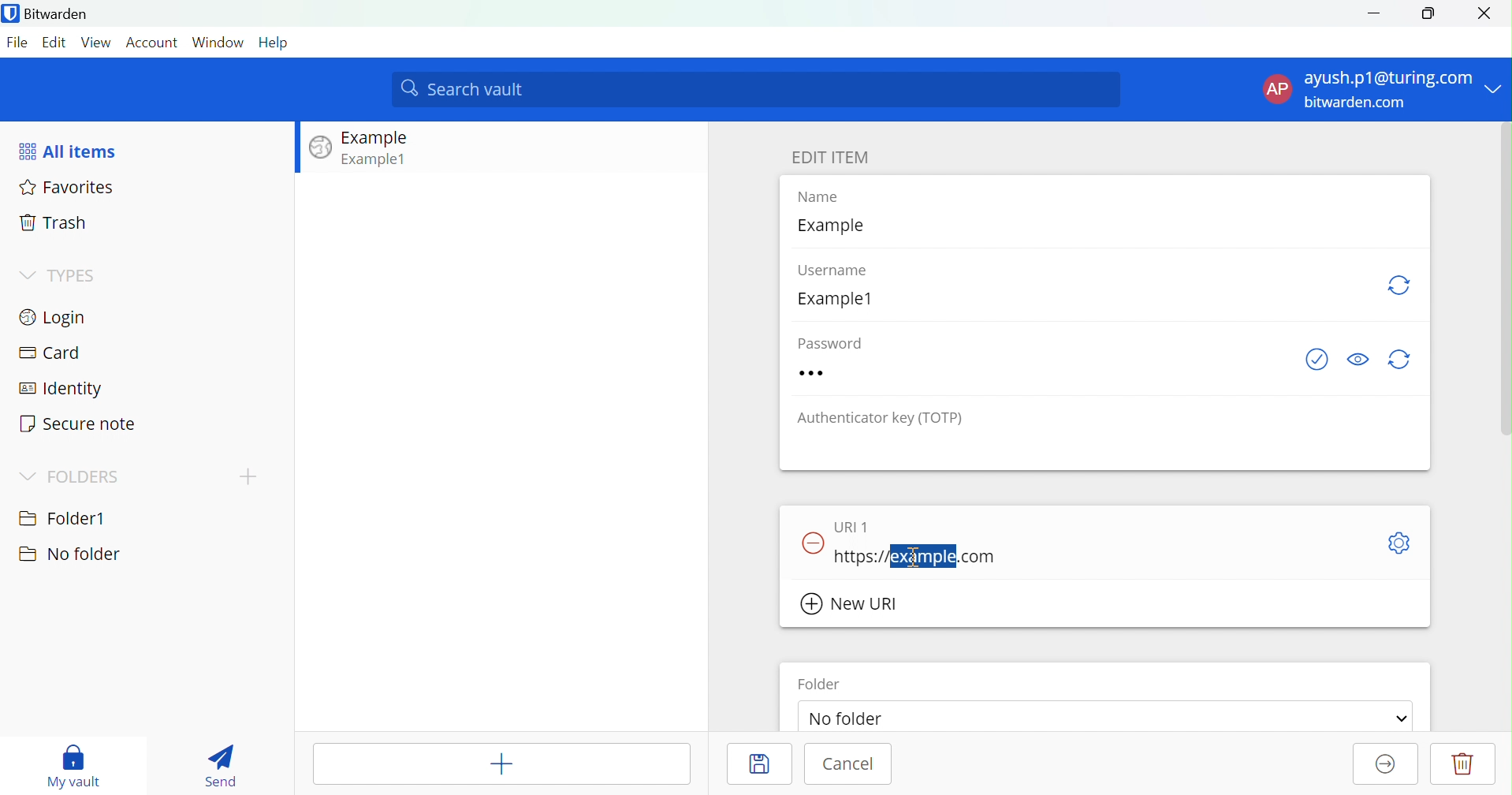 Image resolution: width=1512 pixels, height=795 pixels. I want to click on bitwarden.com, so click(1359, 103).